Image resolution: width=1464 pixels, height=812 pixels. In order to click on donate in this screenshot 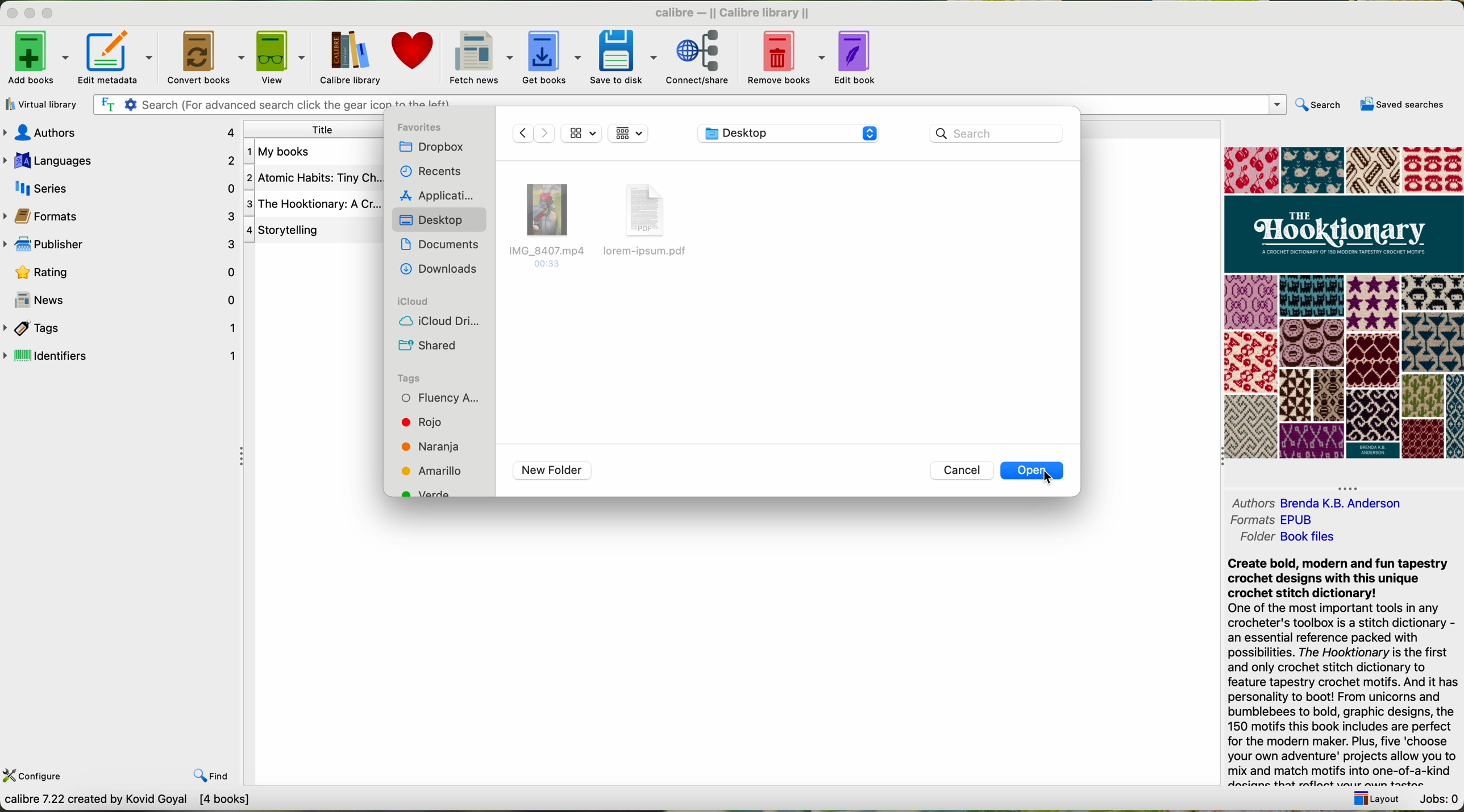, I will do `click(414, 50)`.